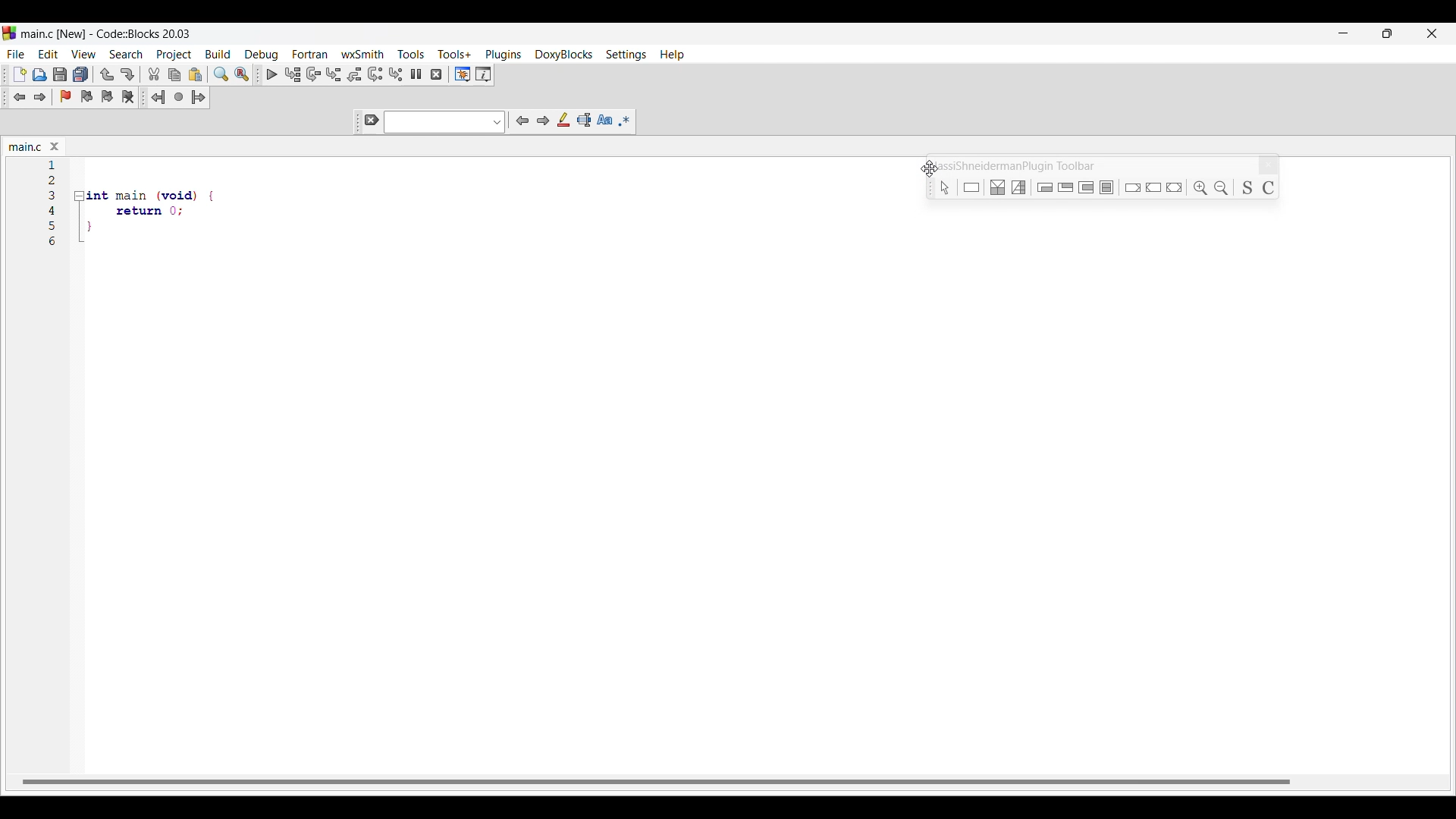 This screenshot has height=819, width=1456. I want to click on Current tab, so click(26, 147).